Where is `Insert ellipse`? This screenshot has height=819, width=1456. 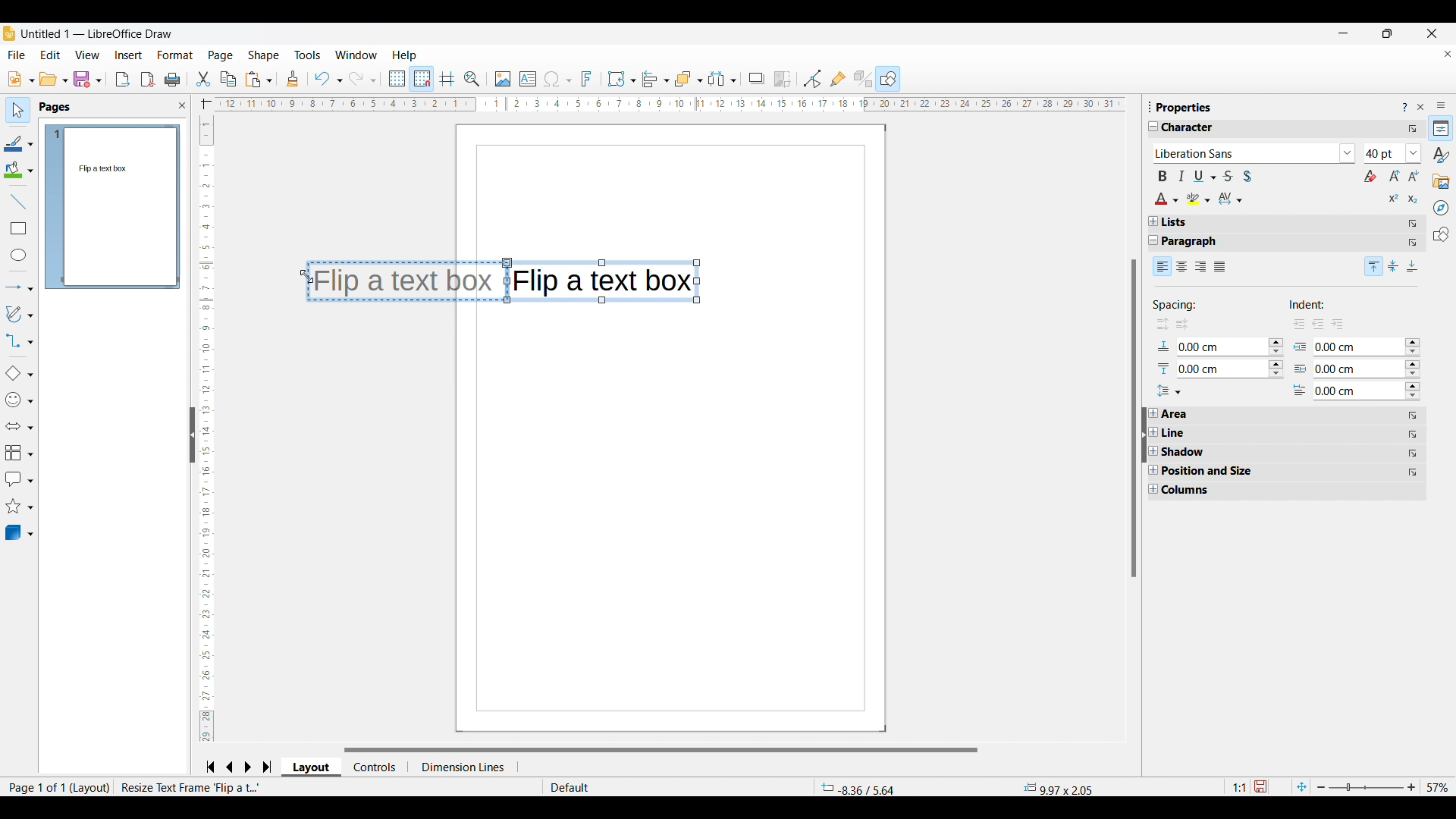 Insert ellipse is located at coordinates (19, 255).